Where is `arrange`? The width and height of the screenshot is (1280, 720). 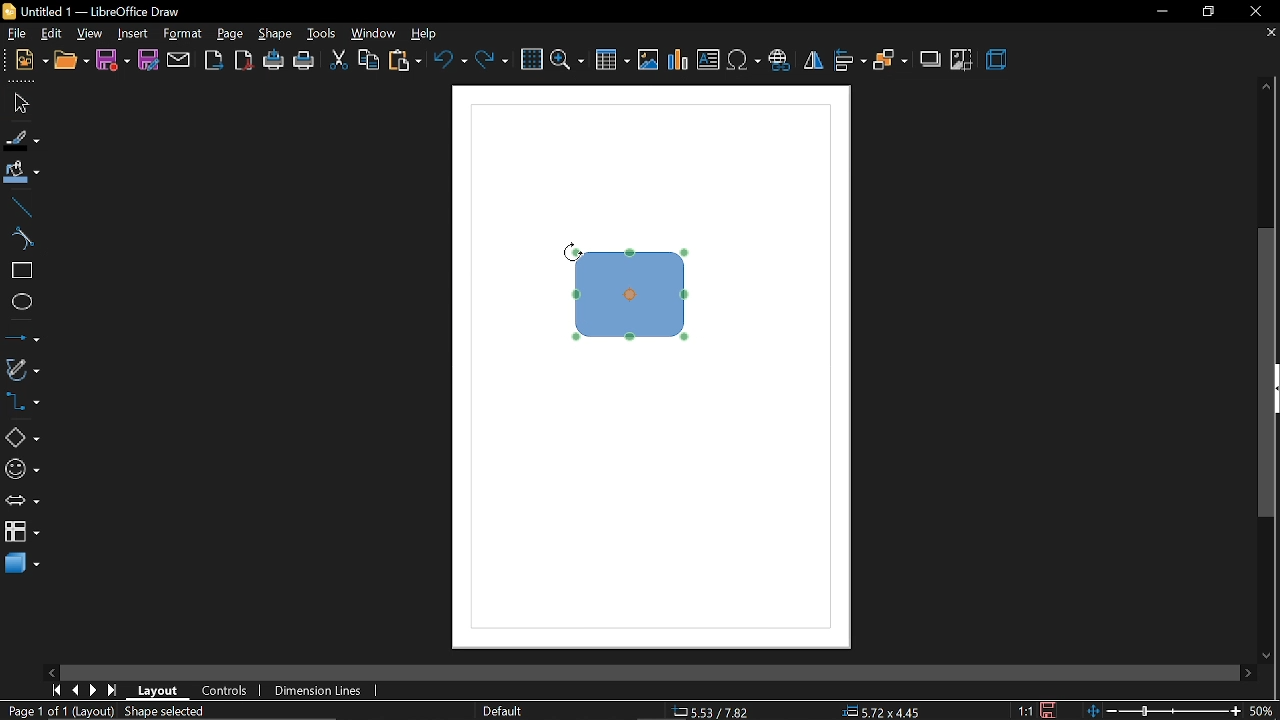
arrange is located at coordinates (890, 61).